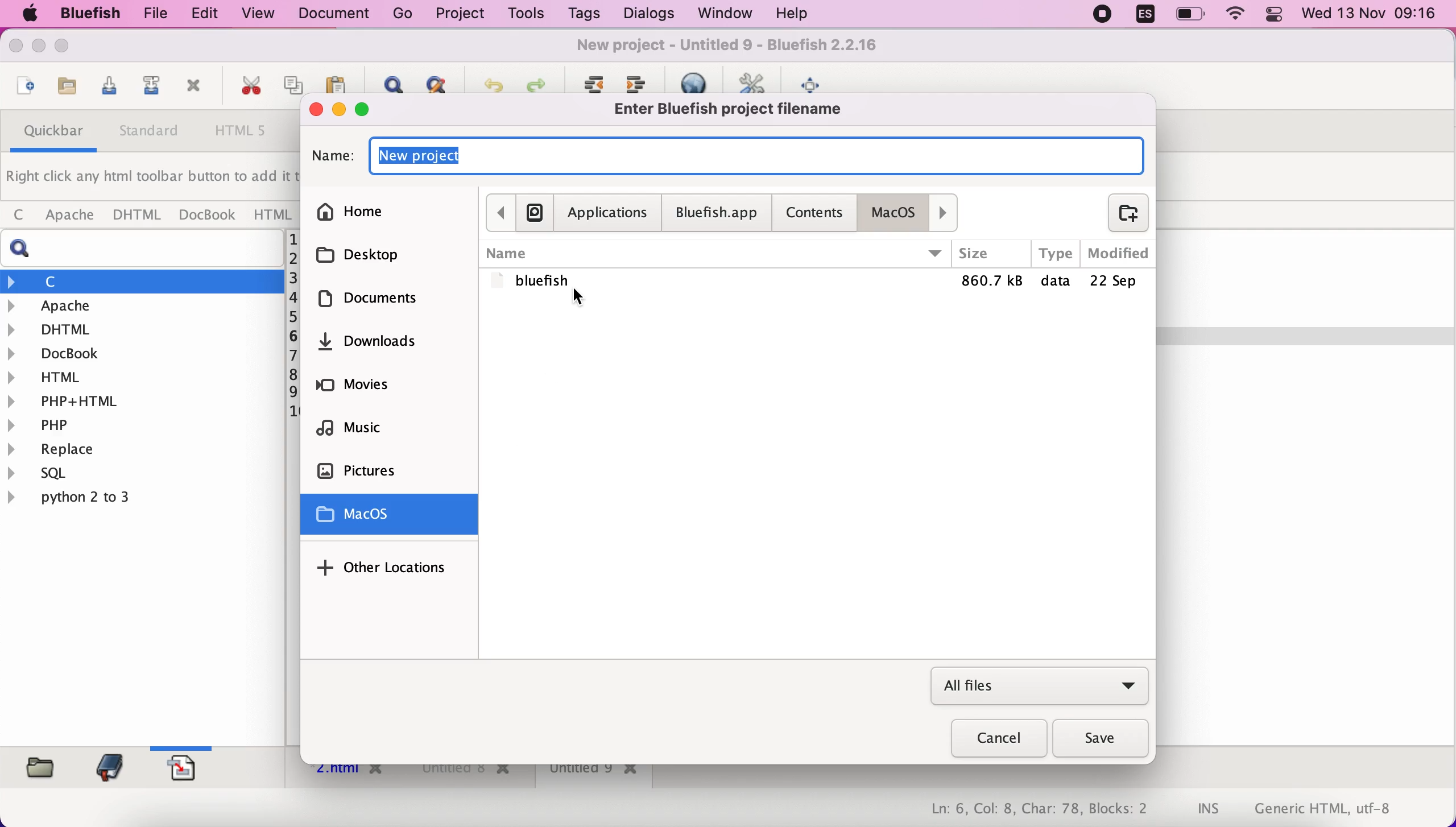 This screenshot has height=827, width=1456. Describe the element at coordinates (385, 303) in the screenshot. I see `documents` at that location.